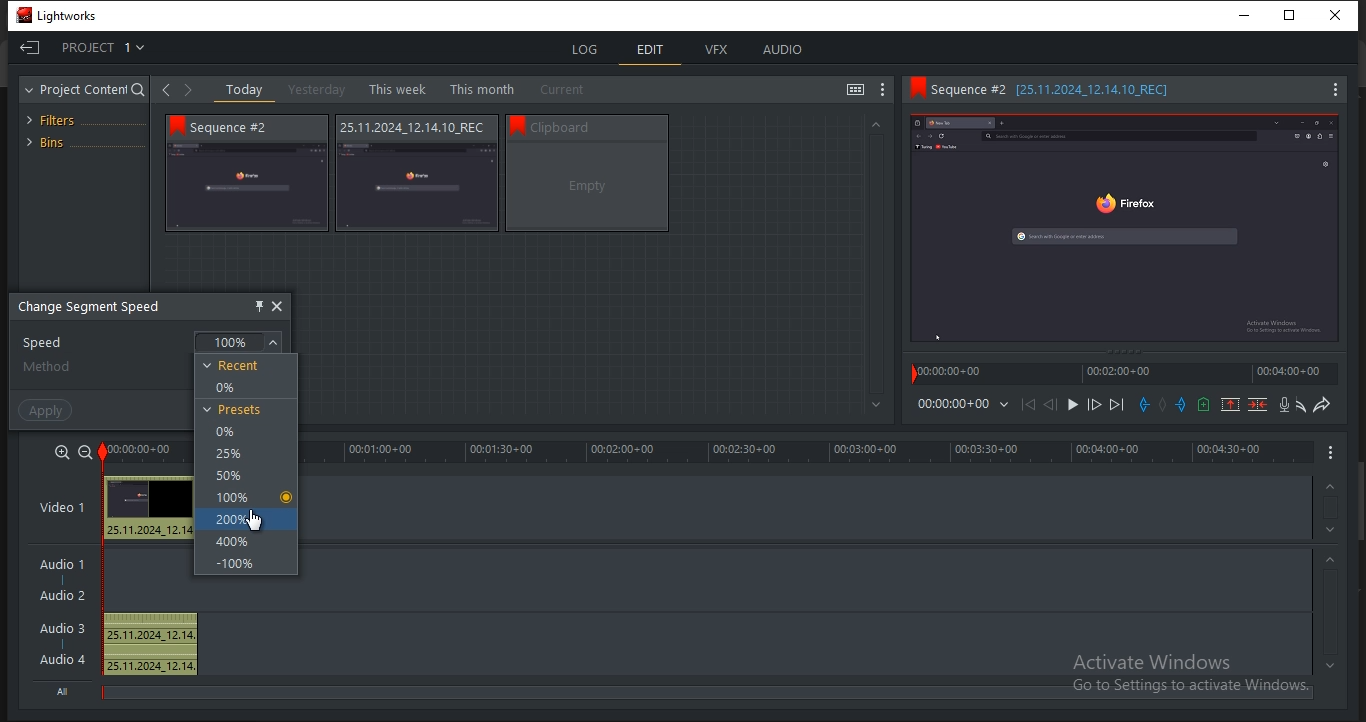  What do you see at coordinates (245, 90) in the screenshot?
I see `today` at bounding box center [245, 90].